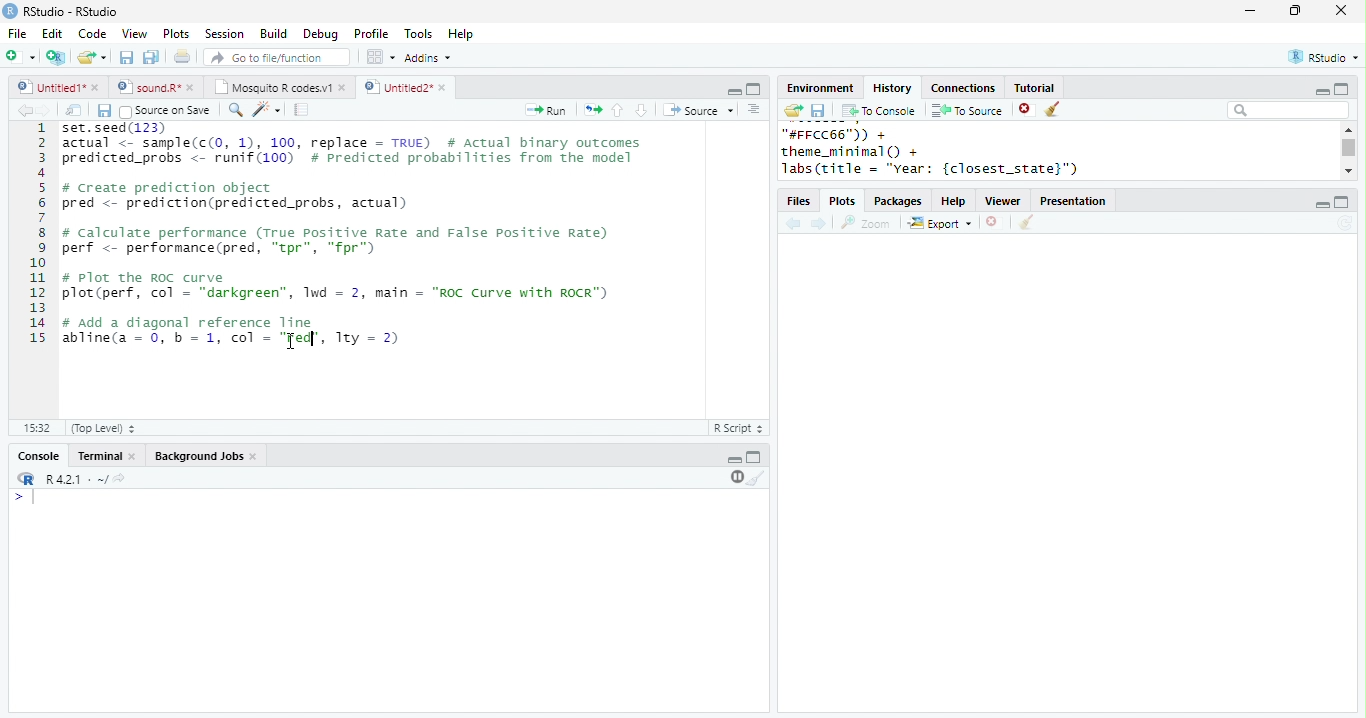 The image size is (1366, 718). What do you see at coordinates (734, 460) in the screenshot?
I see `minimize` at bounding box center [734, 460].